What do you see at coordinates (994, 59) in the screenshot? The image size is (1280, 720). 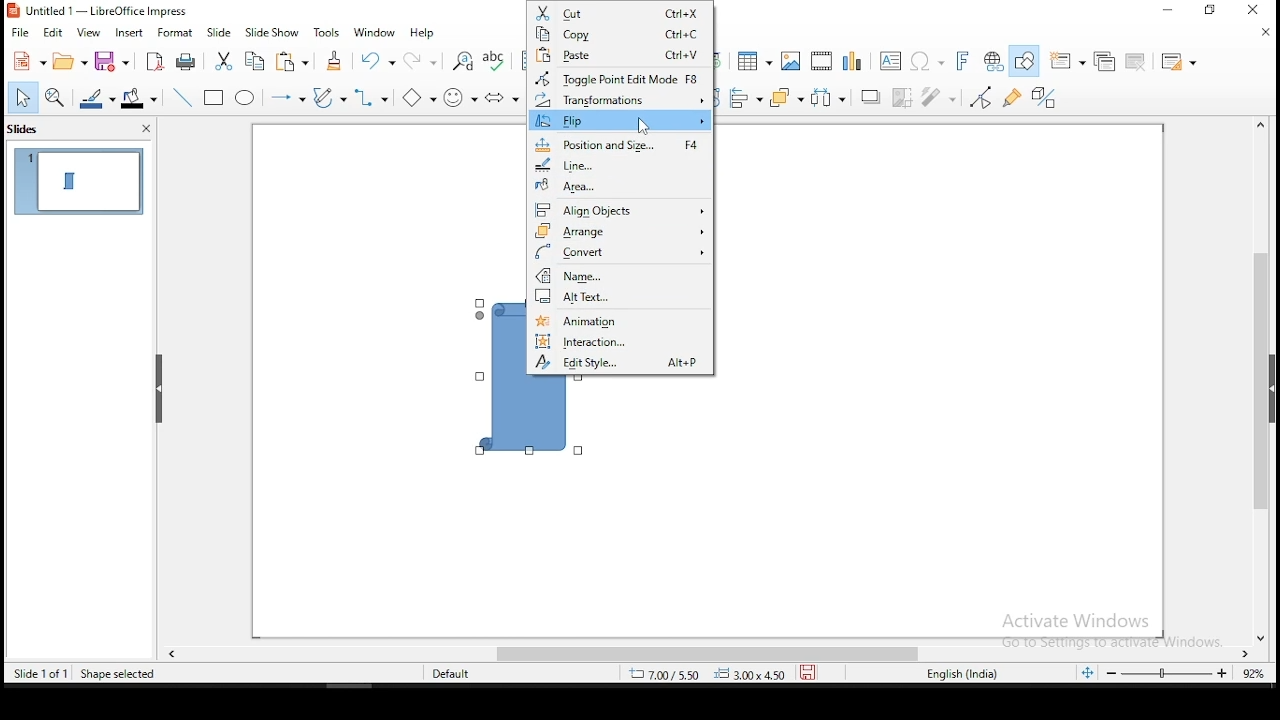 I see `insert hyperlink` at bounding box center [994, 59].